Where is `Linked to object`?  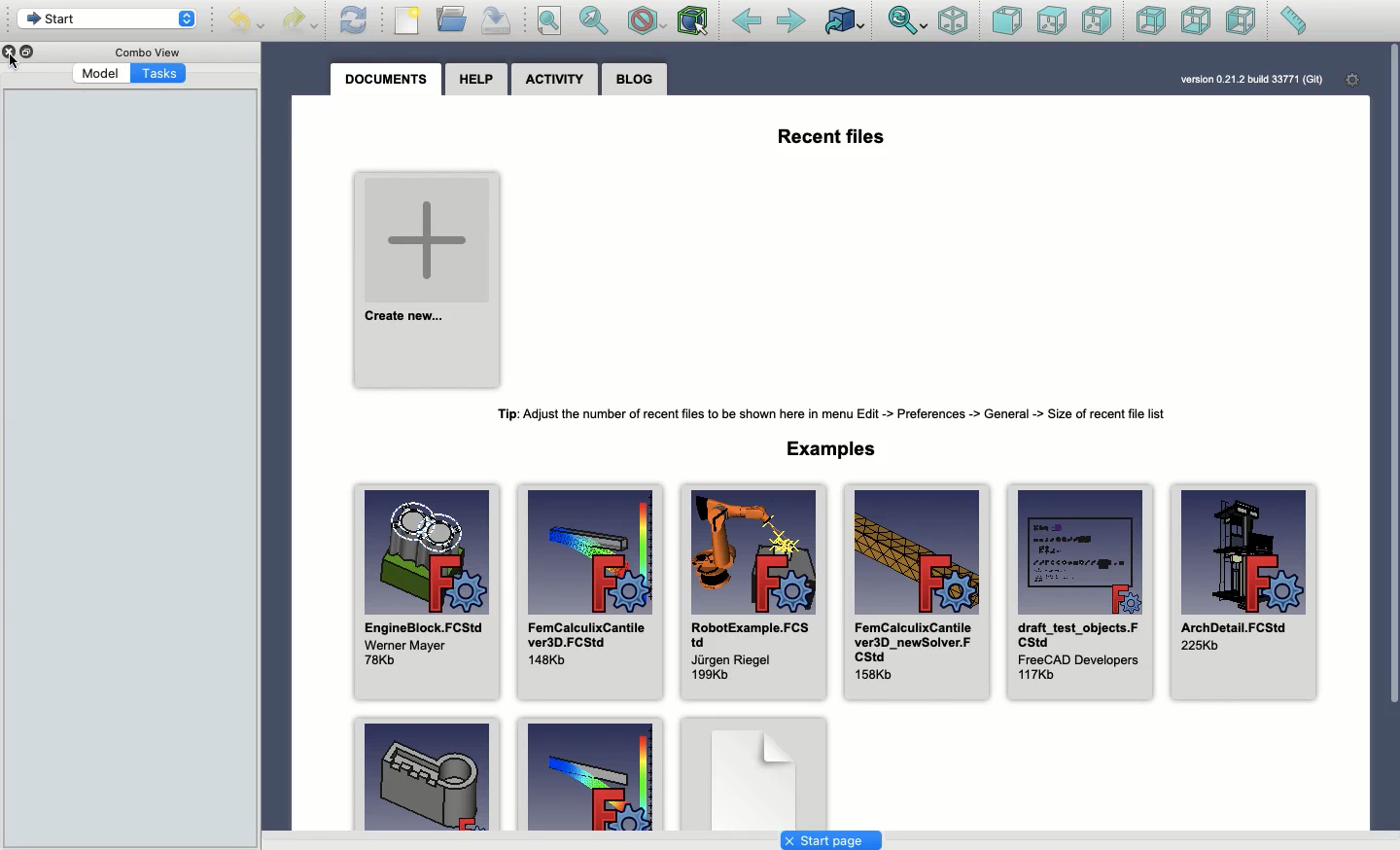 Linked to object is located at coordinates (844, 20).